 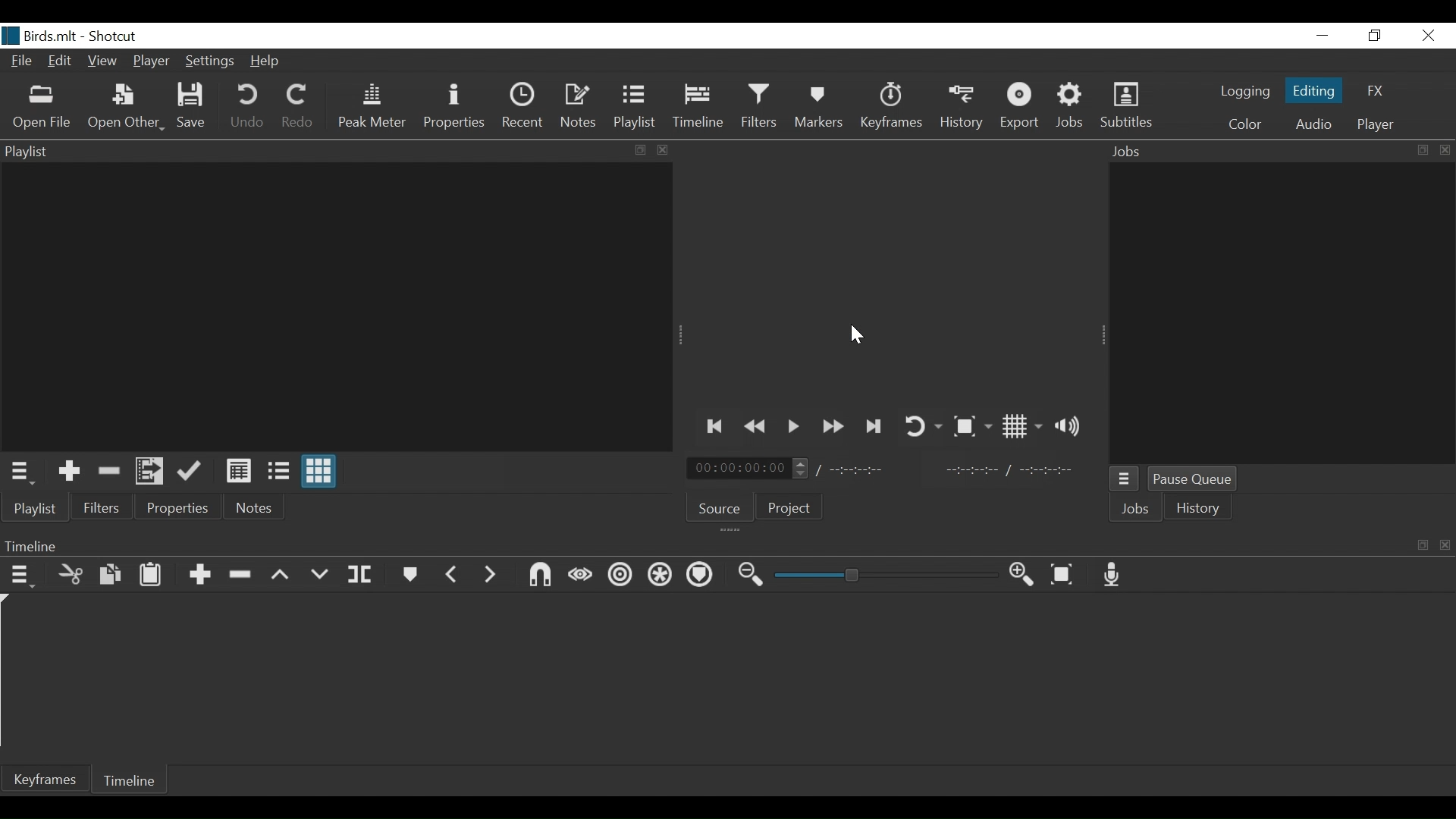 What do you see at coordinates (717, 426) in the screenshot?
I see `Skip to the previous point` at bounding box center [717, 426].